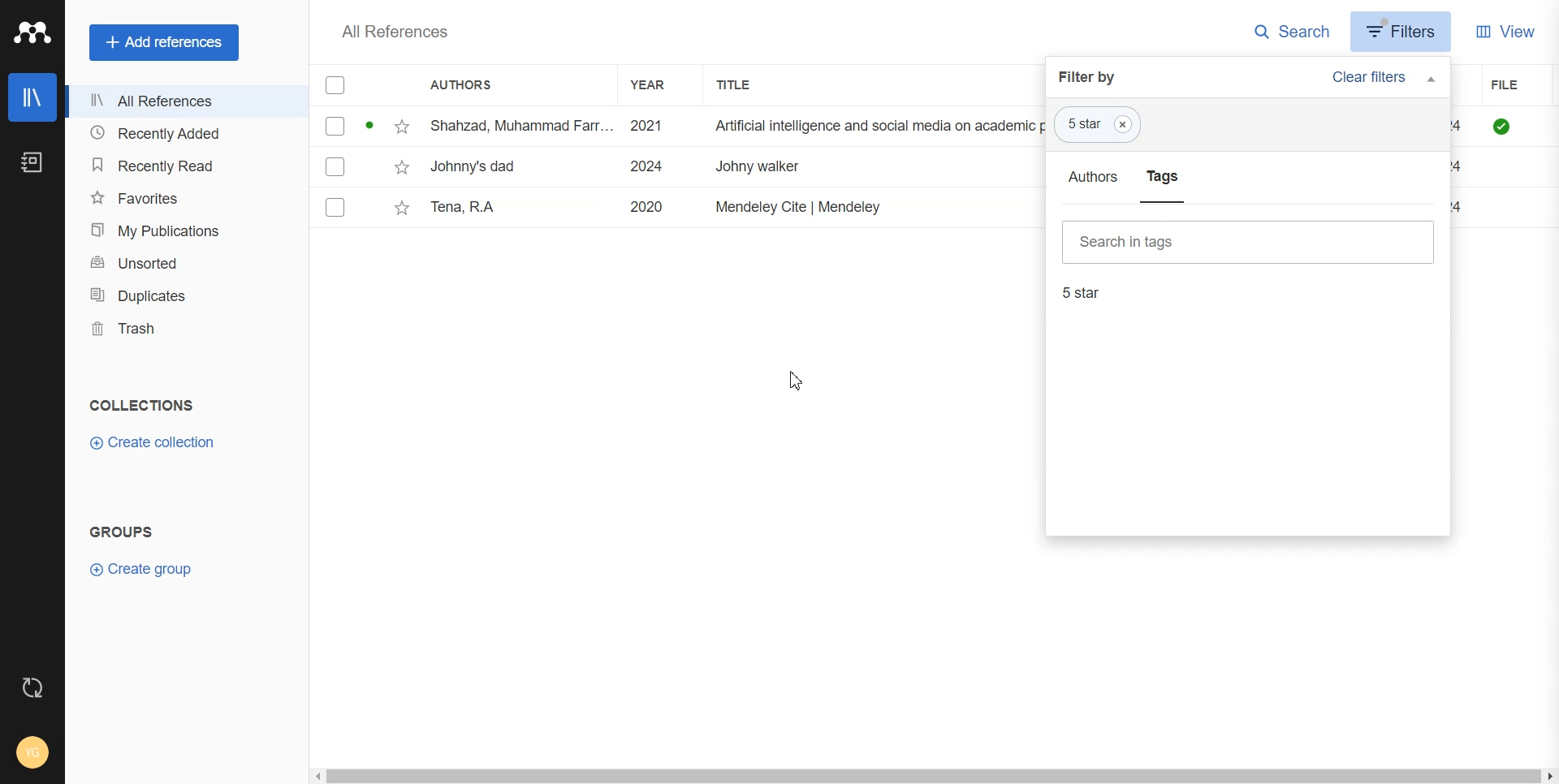  I want to click on Text, so click(1081, 295).